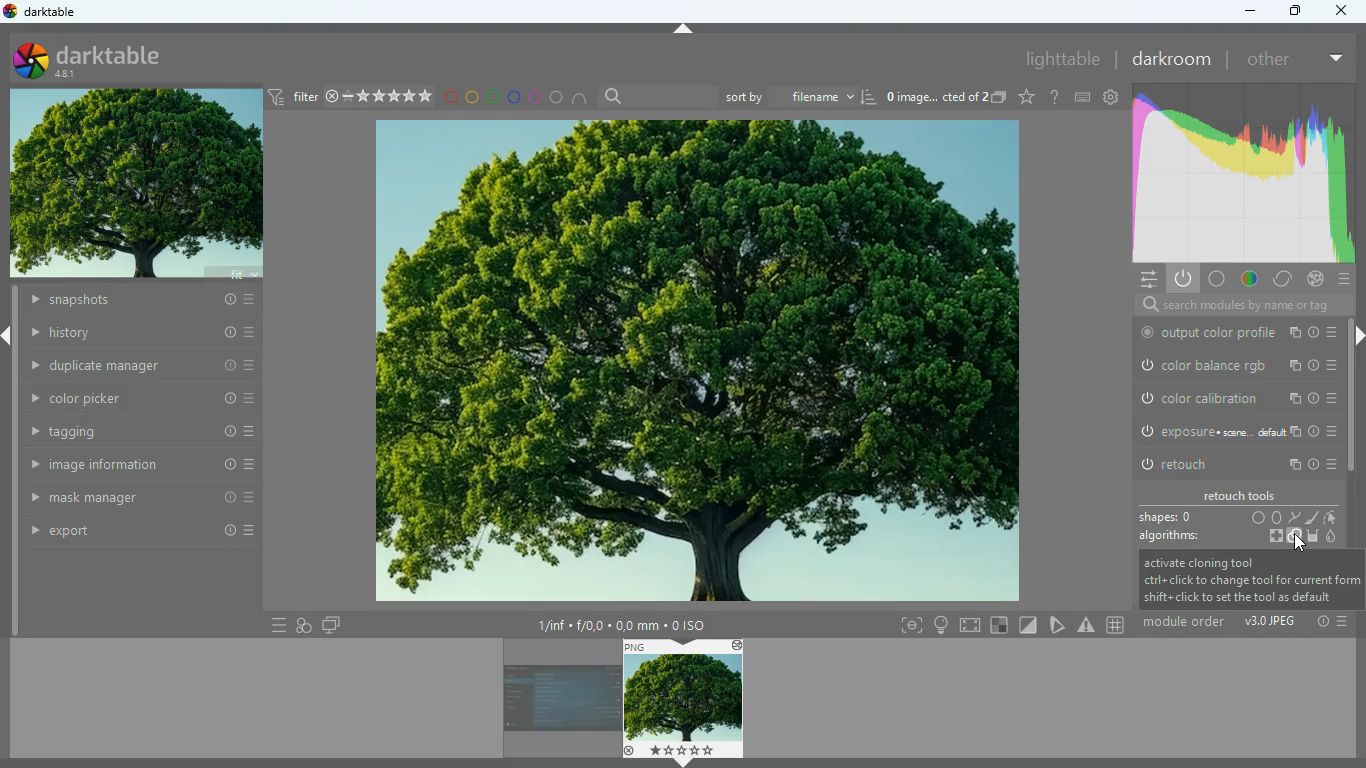 The image size is (1366, 768). I want to click on pink, so click(534, 99).